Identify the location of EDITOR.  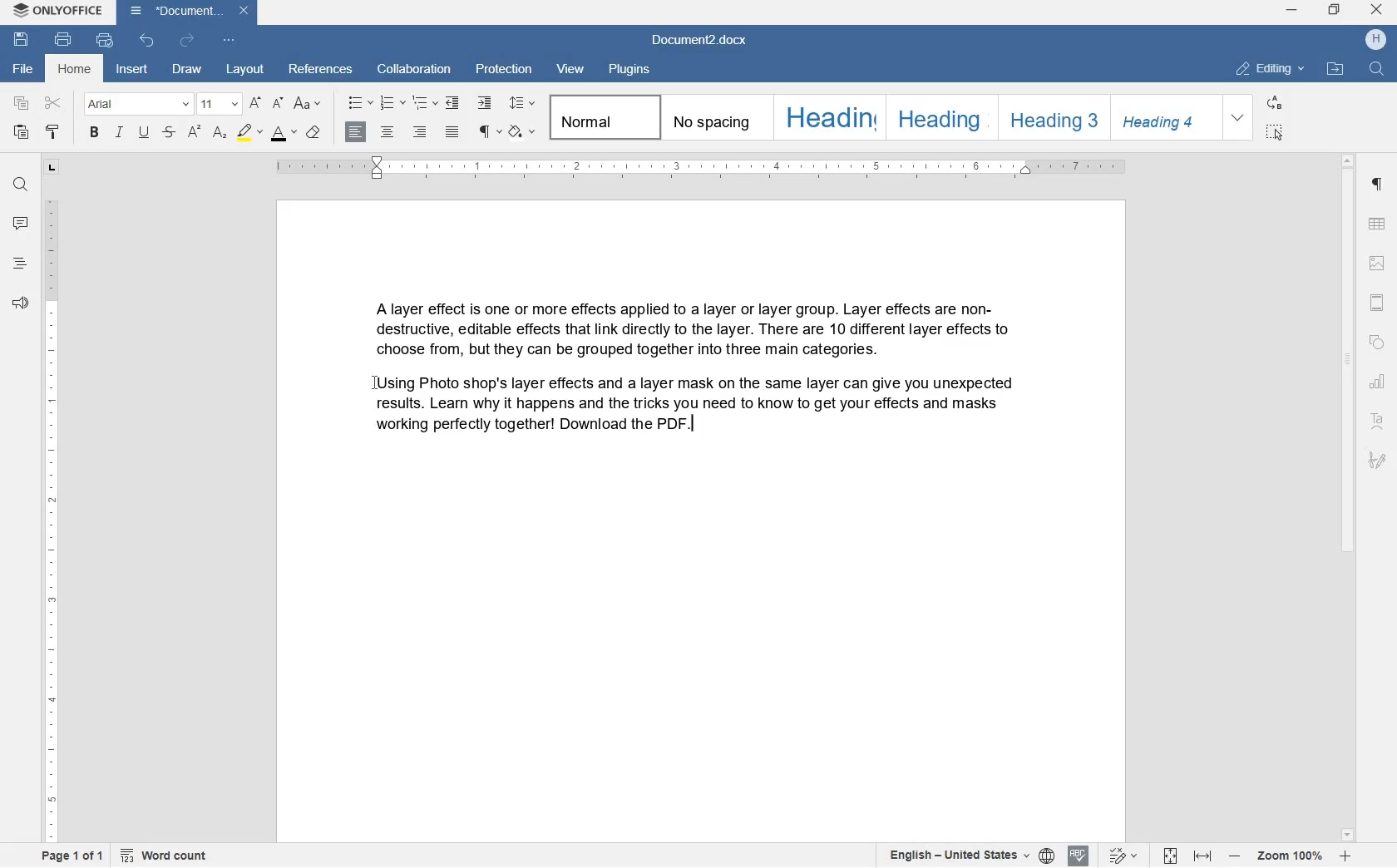
(695, 422).